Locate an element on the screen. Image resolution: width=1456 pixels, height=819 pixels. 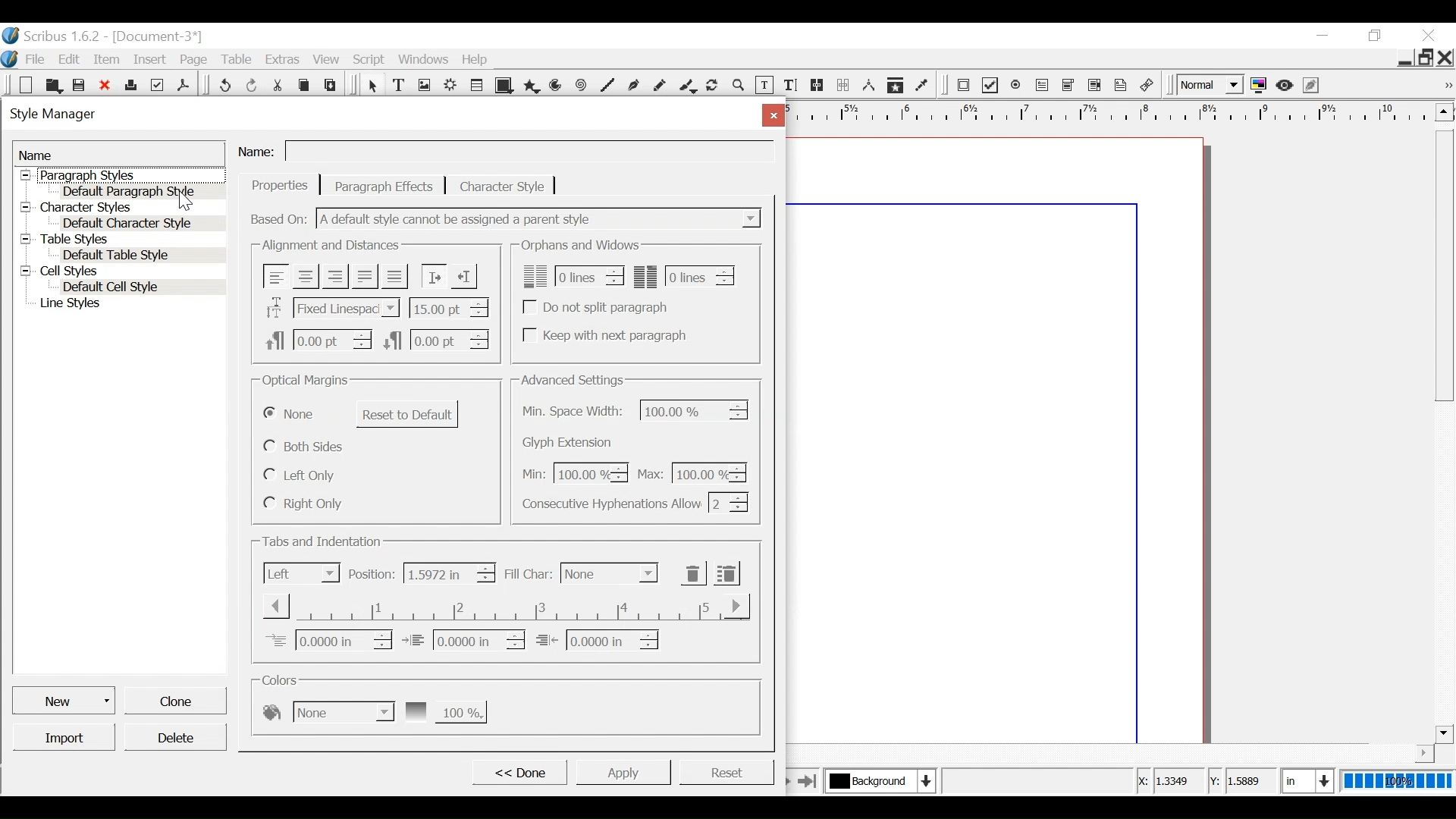
Arc is located at coordinates (557, 86).